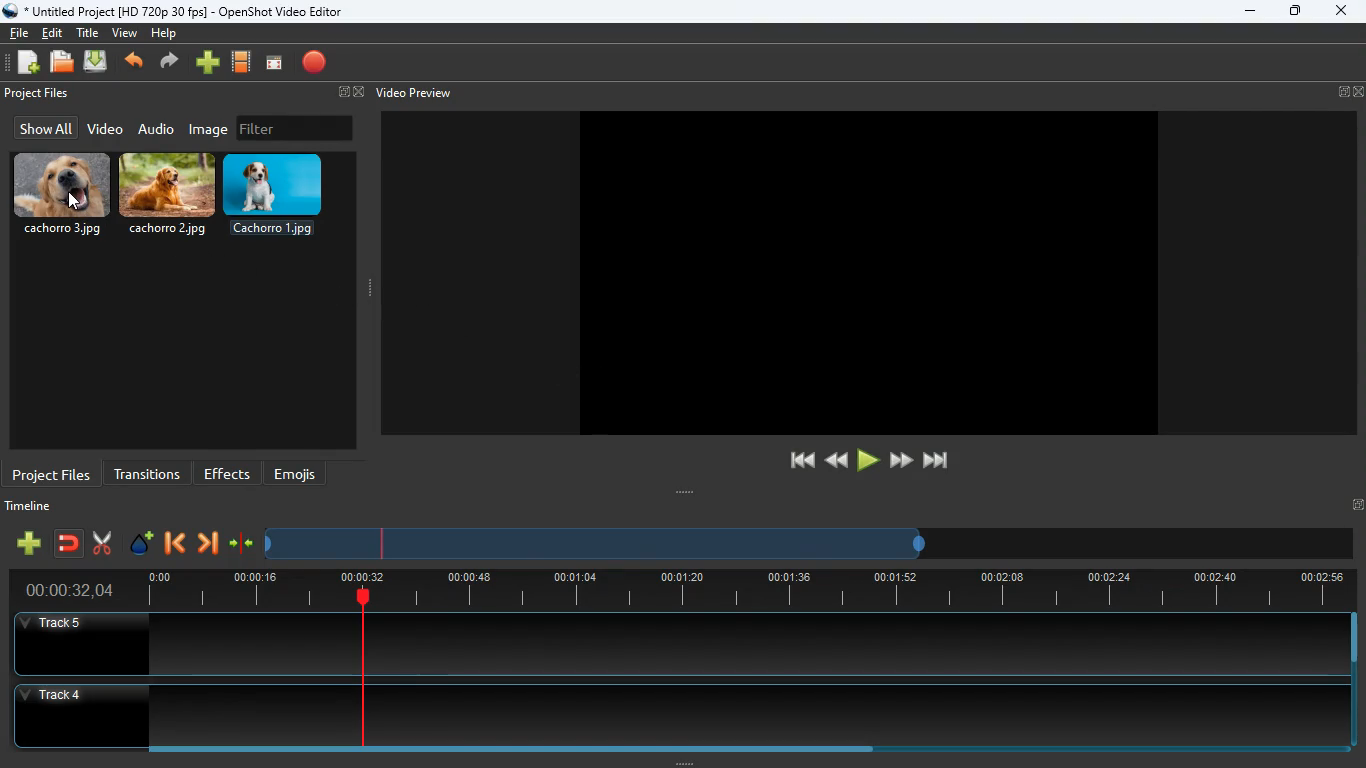  What do you see at coordinates (793, 461) in the screenshot?
I see `beggining` at bounding box center [793, 461].